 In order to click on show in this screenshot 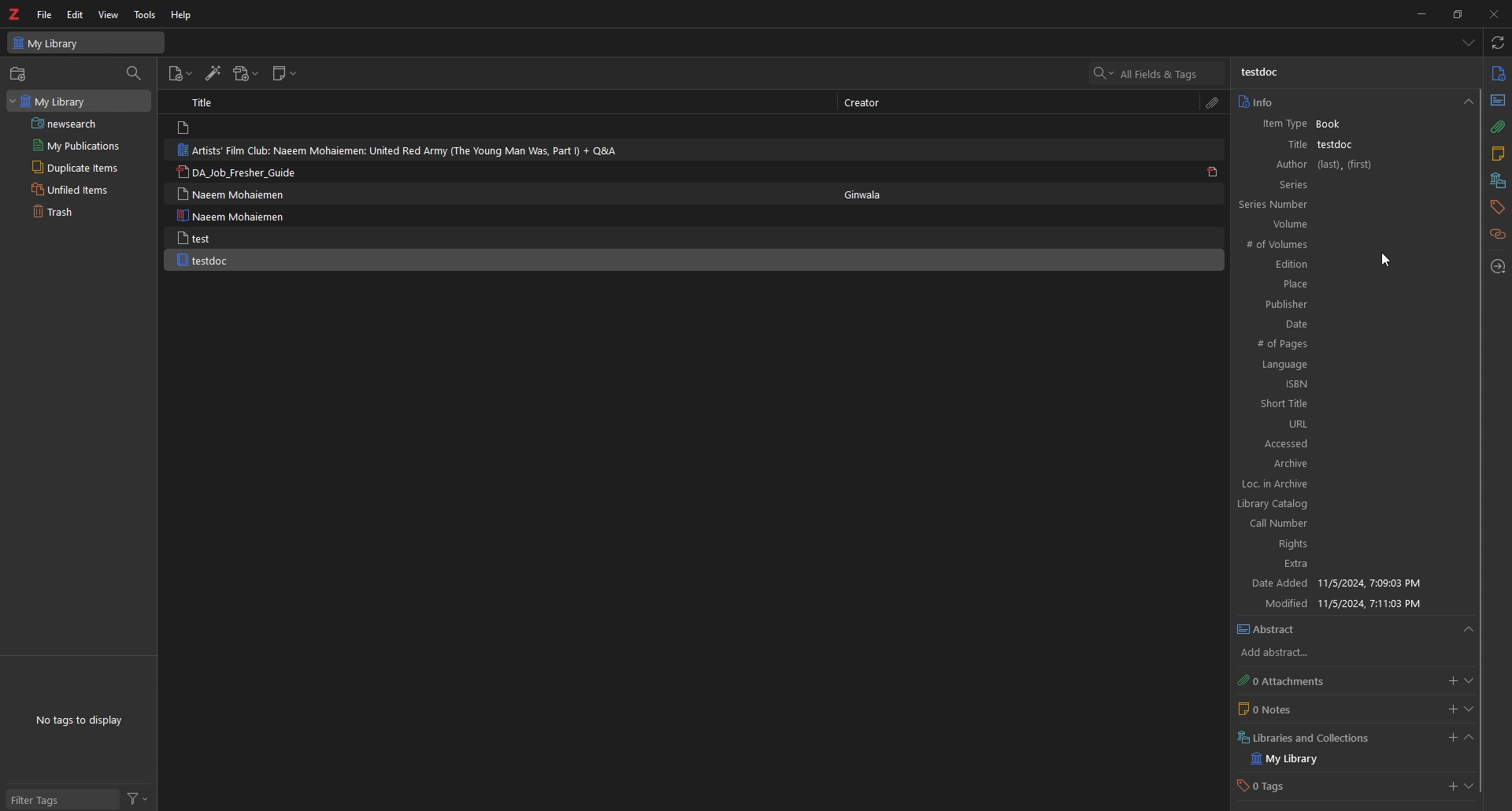, I will do `click(1470, 711)`.